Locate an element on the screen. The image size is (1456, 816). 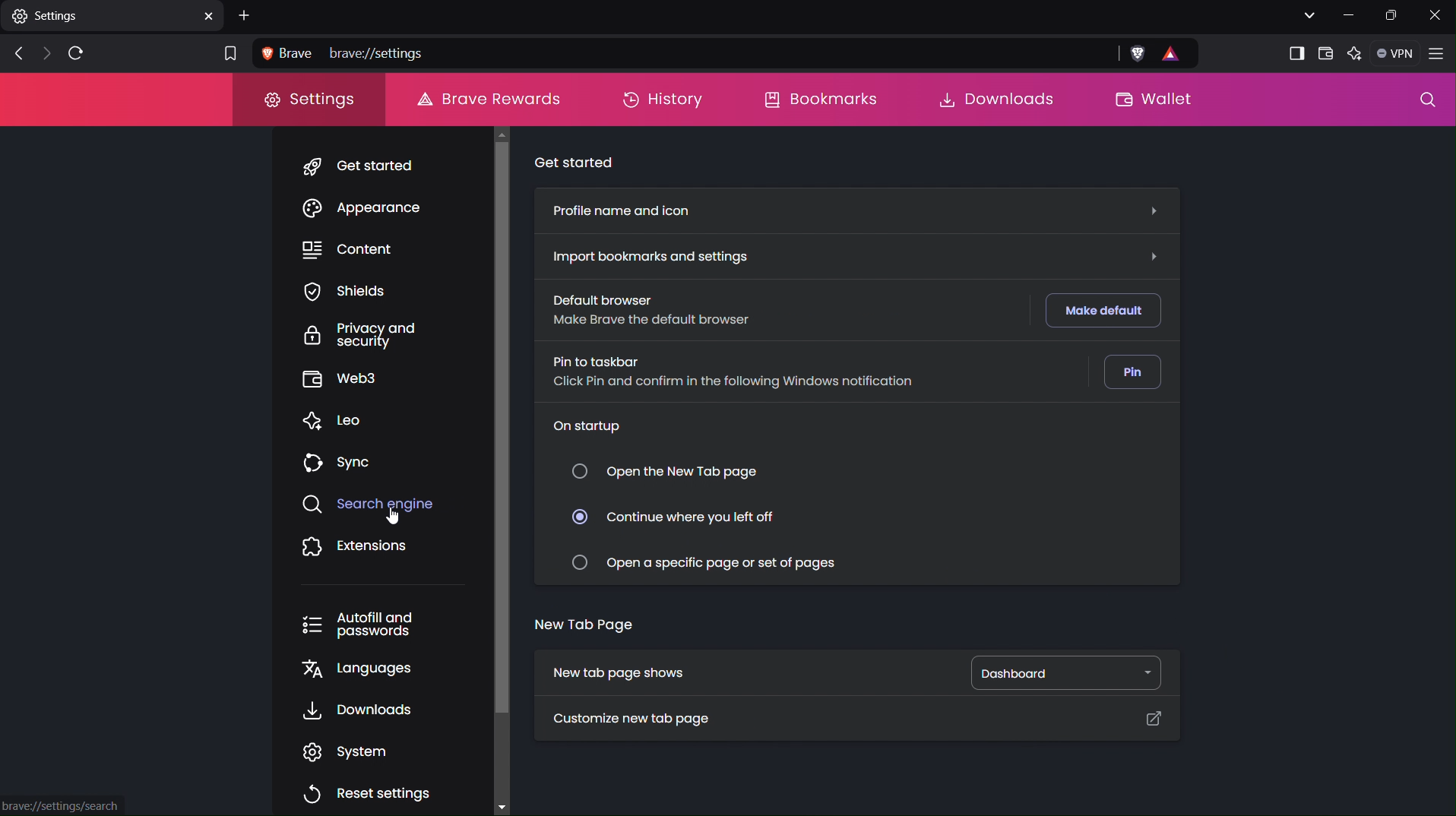
Sync is located at coordinates (339, 461).